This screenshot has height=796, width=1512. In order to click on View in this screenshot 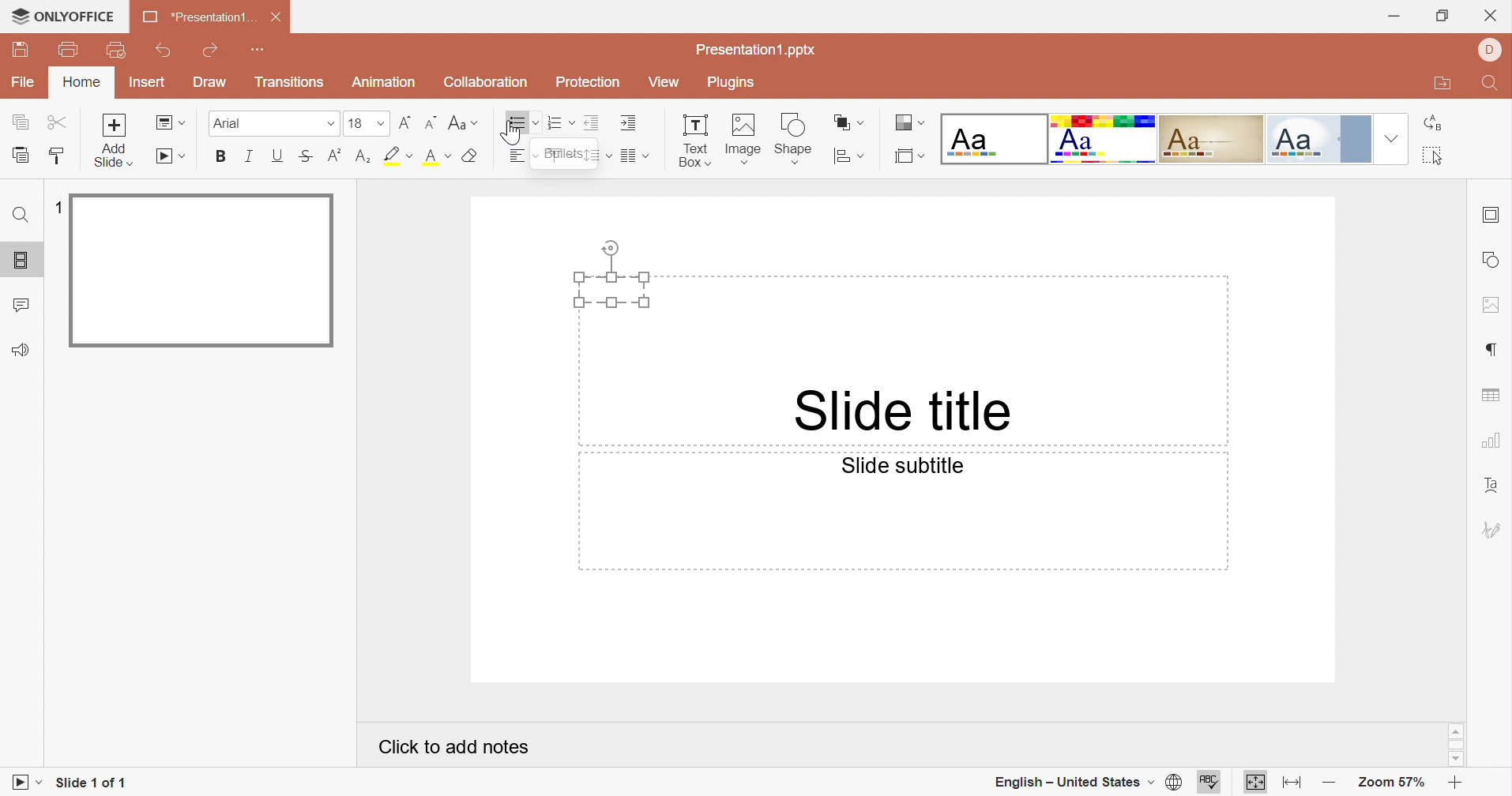, I will do `click(662, 80)`.